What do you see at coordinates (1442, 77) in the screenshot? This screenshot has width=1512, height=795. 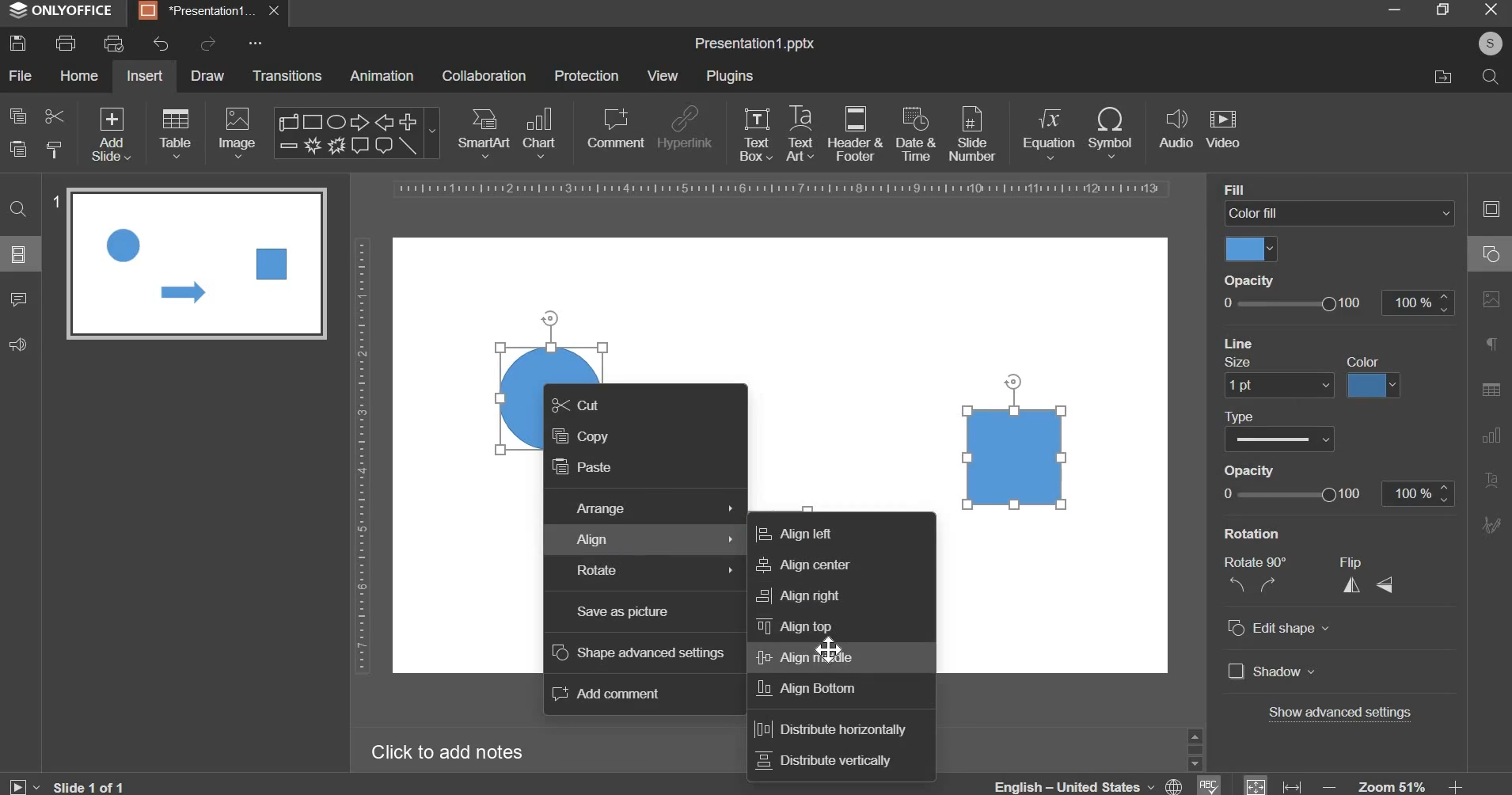 I see `file location` at bounding box center [1442, 77].